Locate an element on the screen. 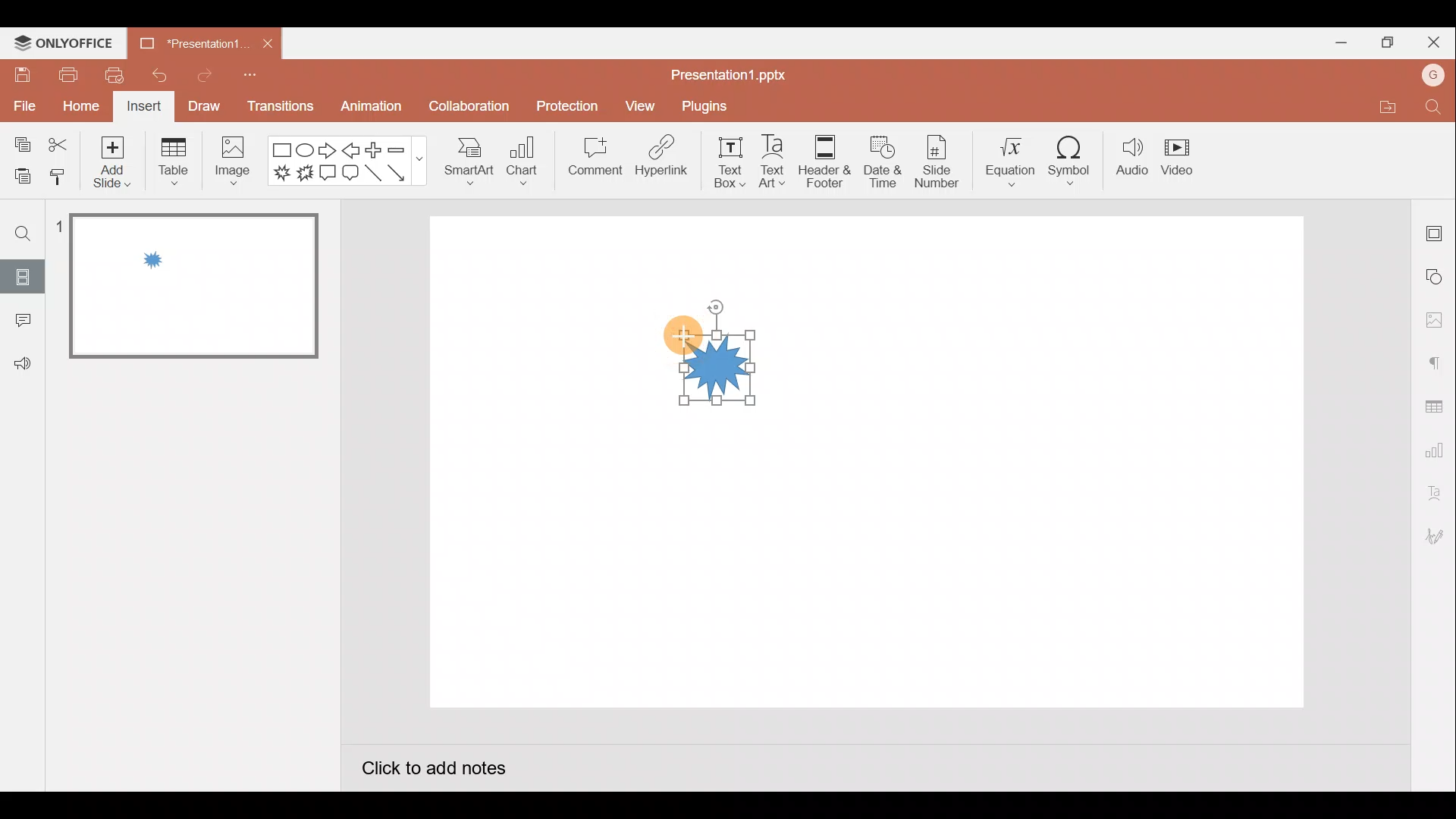  Customize quick access toolbar is located at coordinates (254, 77).